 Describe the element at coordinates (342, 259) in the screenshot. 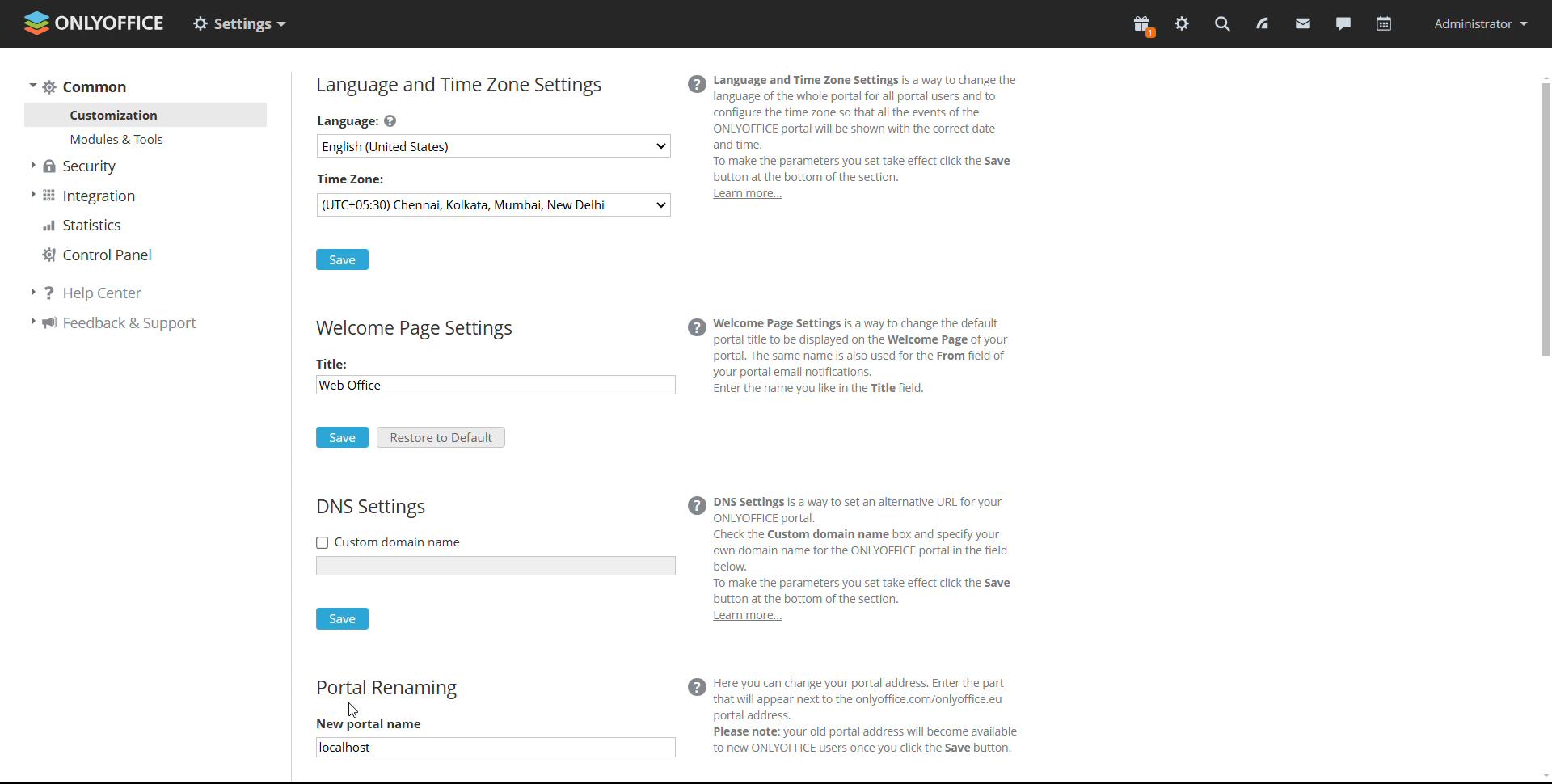

I see `save` at that location.